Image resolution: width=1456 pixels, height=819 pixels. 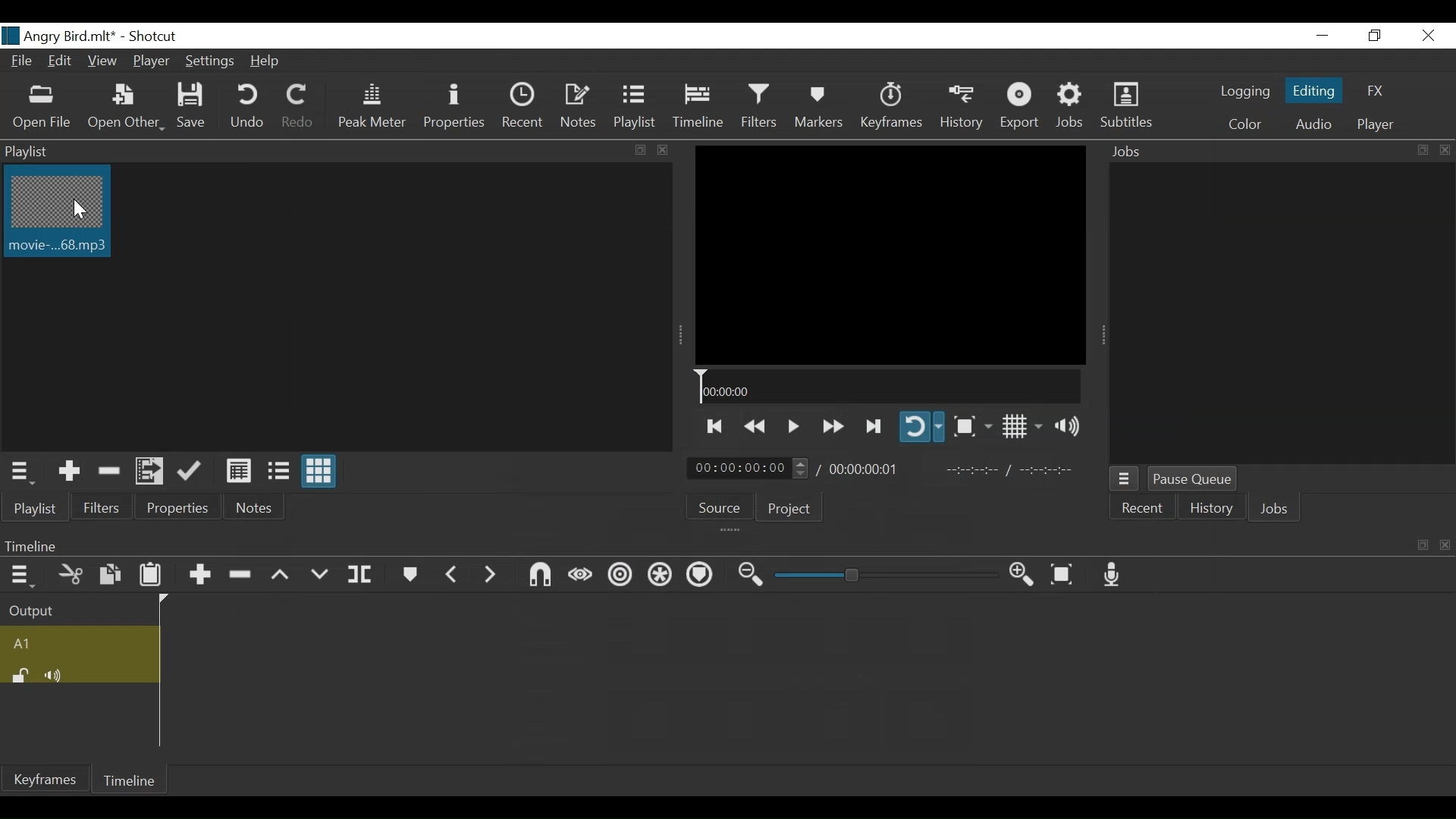 What do you see at coordinates (716, 424) in the screenshot?
I see `Skip to the next to point` at bounding box center [716, 424].